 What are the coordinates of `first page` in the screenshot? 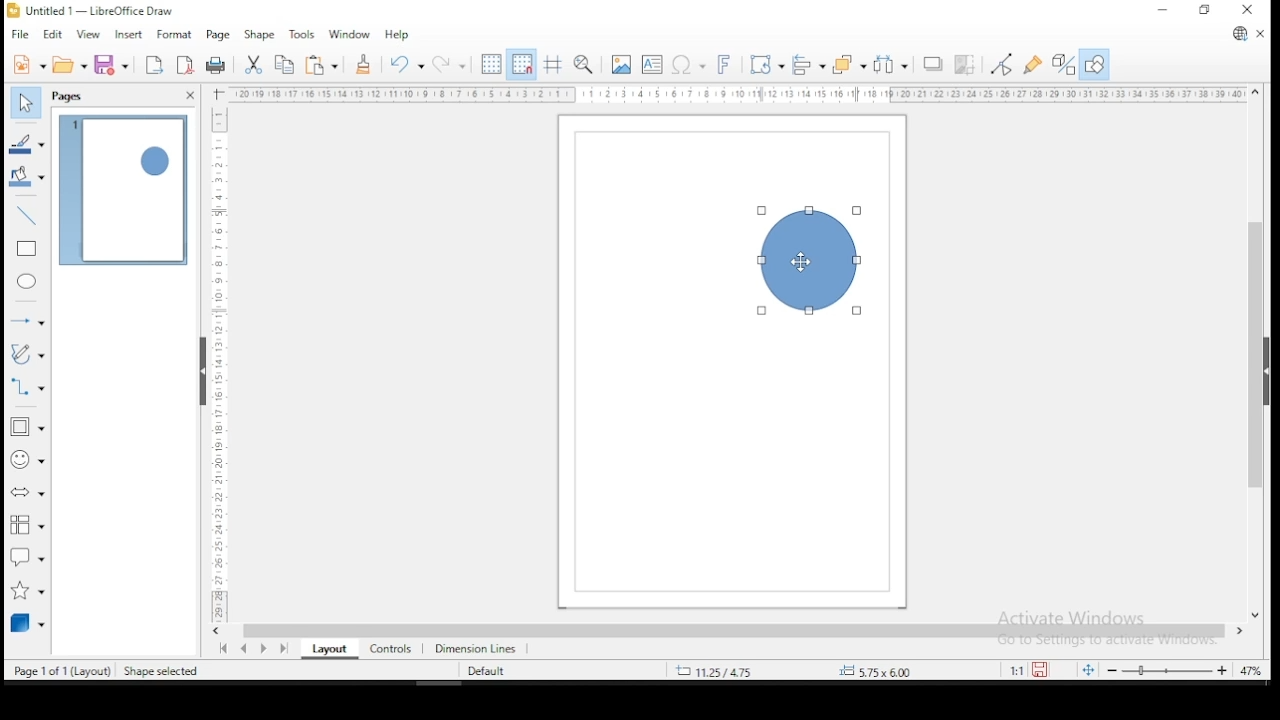 It's located at (221, 649).